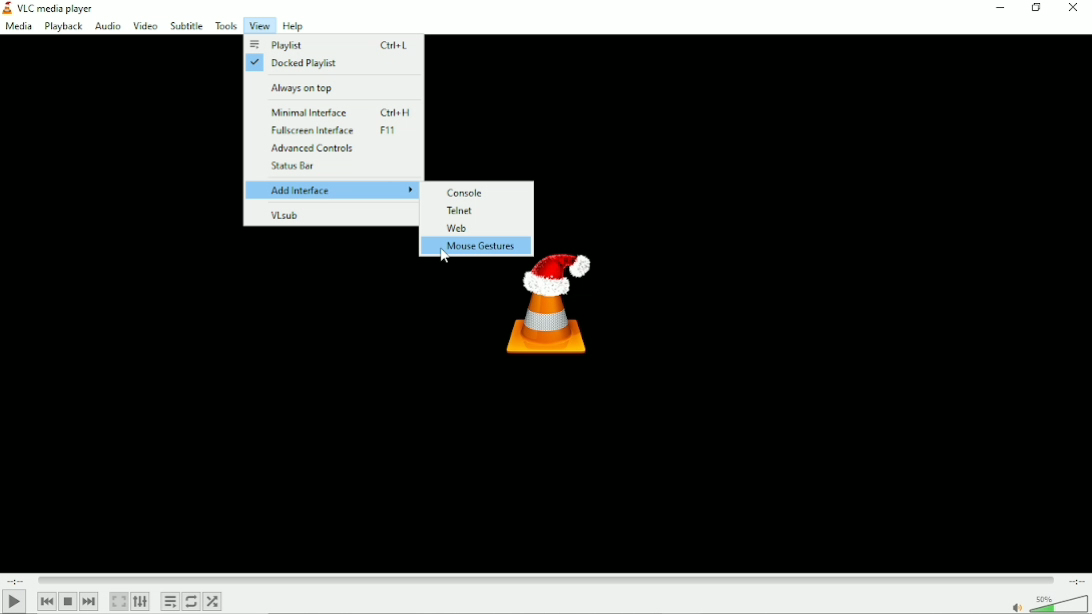 The height and width of the screenshot is (614, 1092). What do you see at coordinates (479, 192) in the screenshot?
I see `Console` at bounding box center [479, 192].